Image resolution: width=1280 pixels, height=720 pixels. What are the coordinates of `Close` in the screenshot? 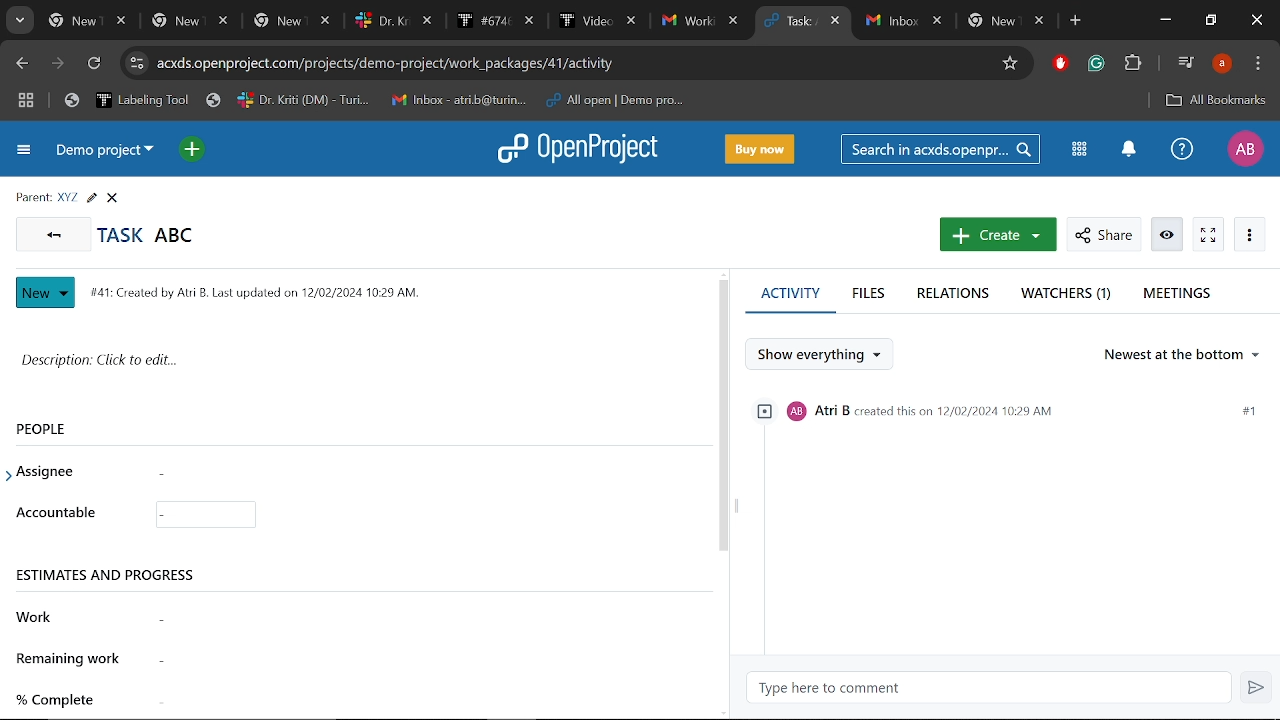 It's located at (1256, 20).